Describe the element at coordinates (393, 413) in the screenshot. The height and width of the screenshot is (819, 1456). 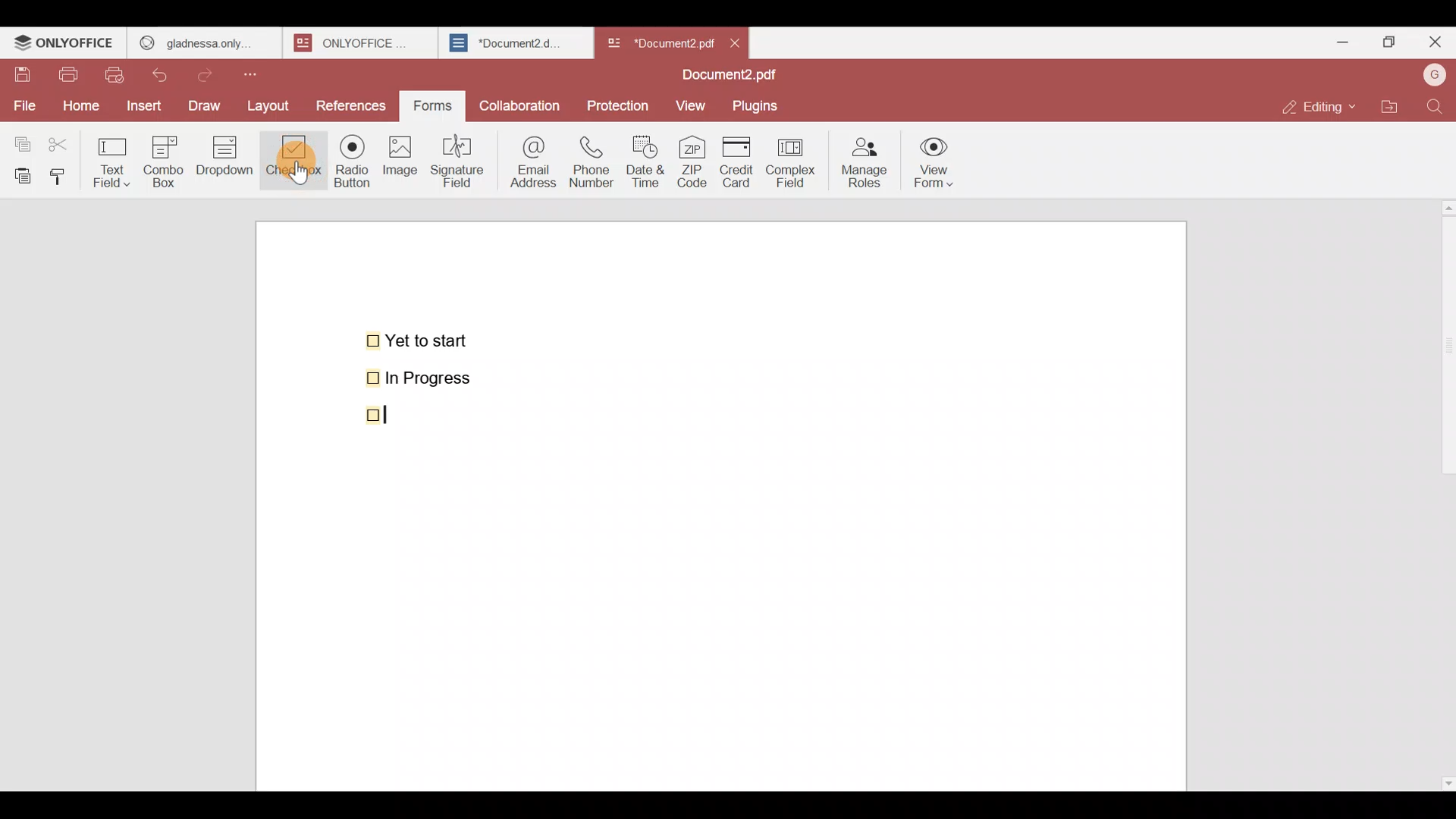
I see `Cursor` at that location.